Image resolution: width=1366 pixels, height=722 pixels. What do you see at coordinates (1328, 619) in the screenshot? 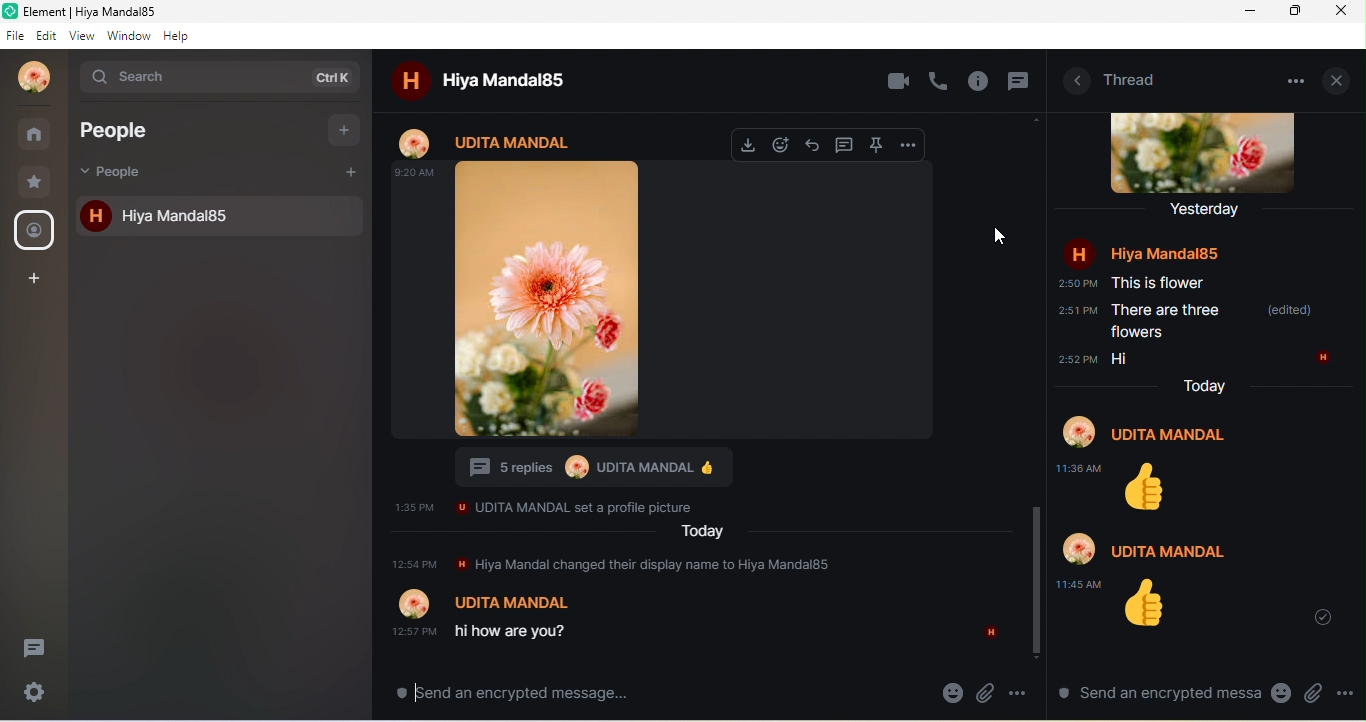
I see `scroll to most recent message` at bounding box center [1328, 619].